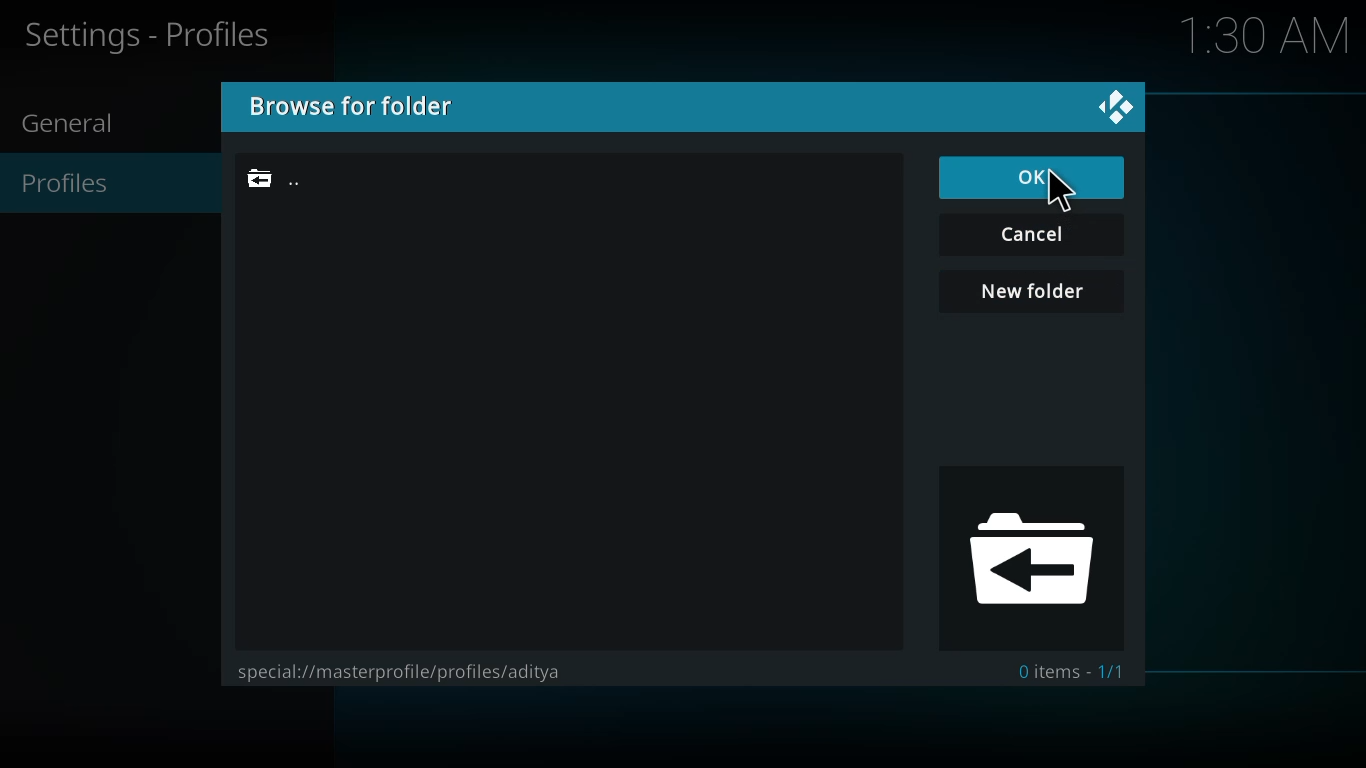 The image size is (1366, 768). Describe the element at coordinates (1031, 562) in the screenshot. I see `browse` at that location.